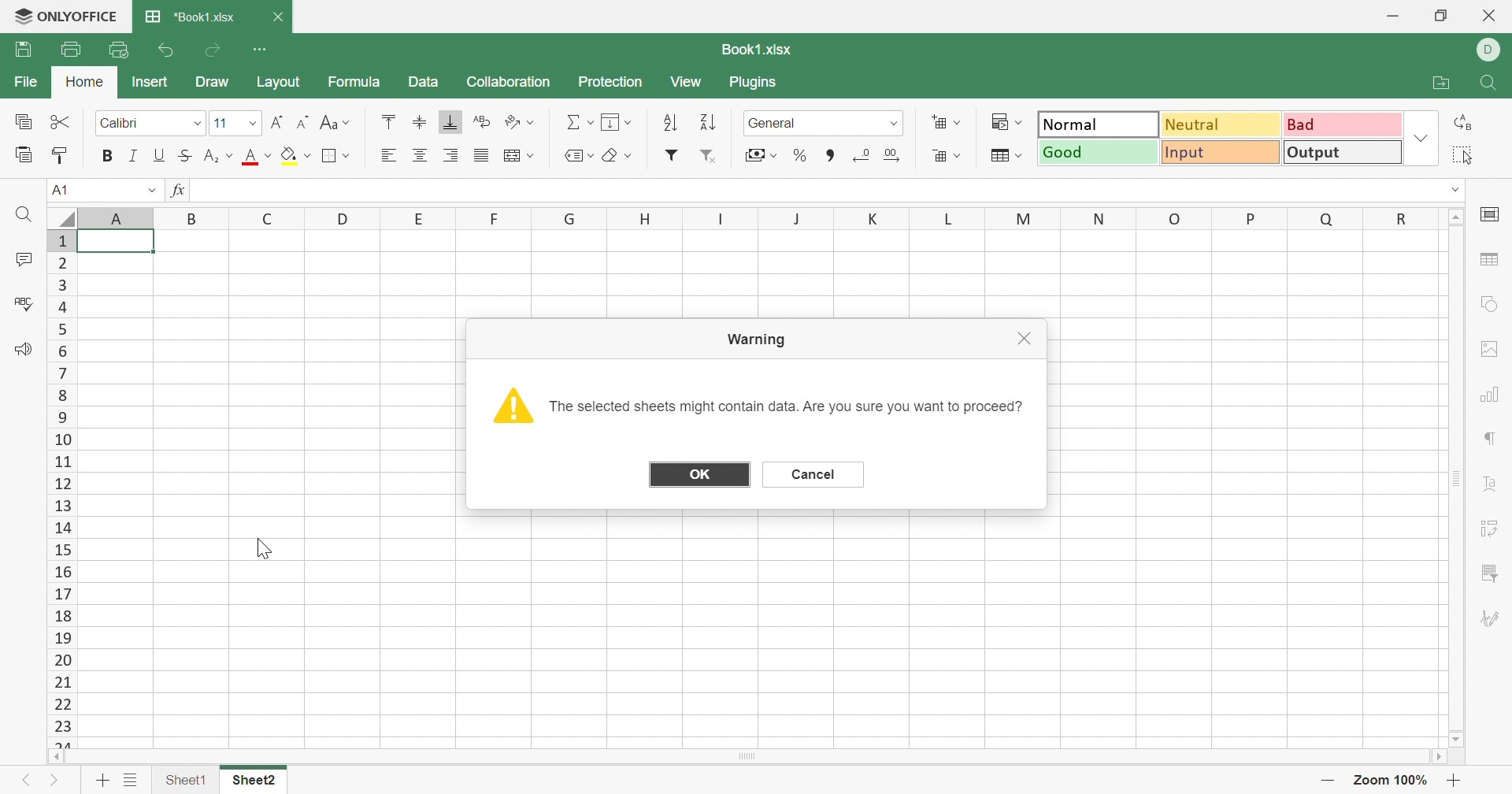 The height and width of the screenshot is (794, 1512). Describe the element at coordinates (288, 155) in the screenshot. I see `Fill color` at that location.